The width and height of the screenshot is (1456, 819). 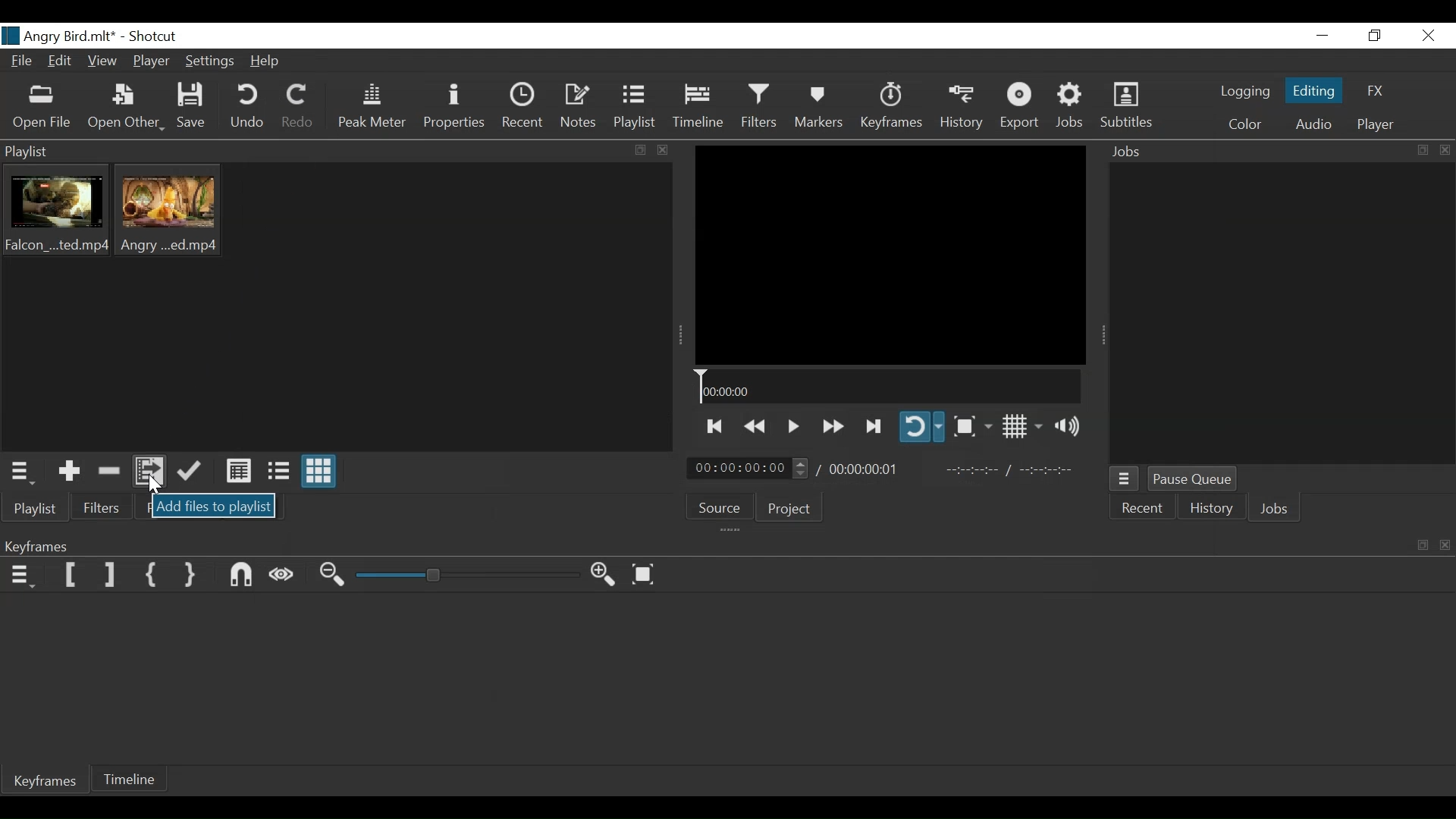 I want to click on project, so click(x=792, y=509).